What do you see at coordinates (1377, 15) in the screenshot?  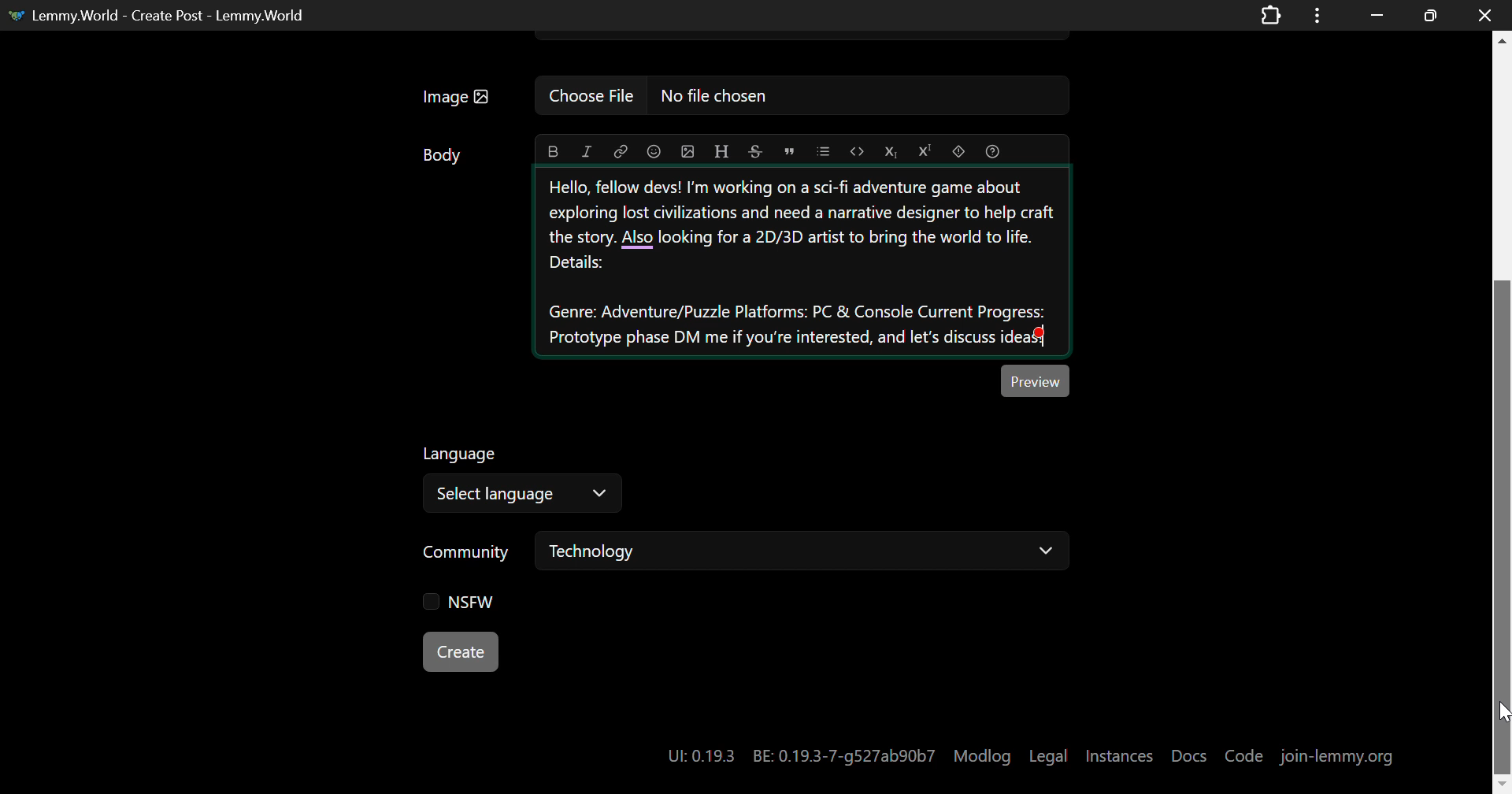 I see `Restore Down` at bounding box center [1377, 15].